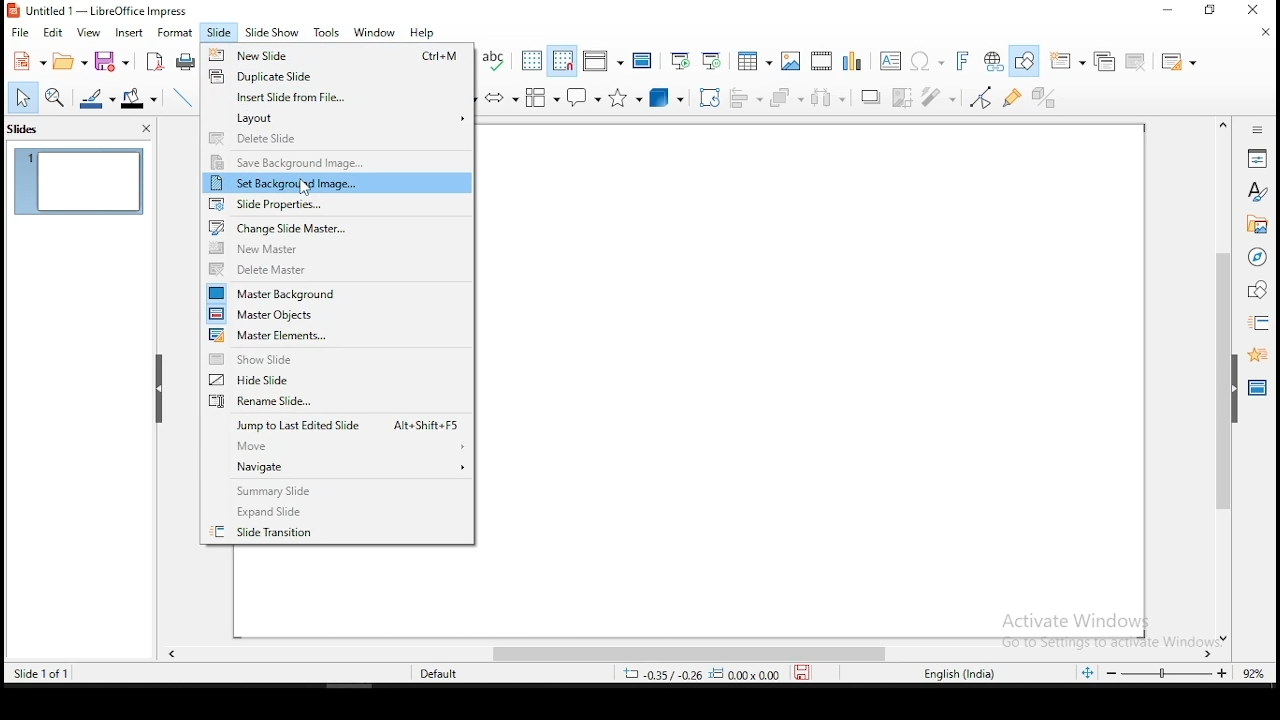  What do you see at coordinates (869, 96) in the screenshot?
I see `shadow` at bounding box center [869, 96].